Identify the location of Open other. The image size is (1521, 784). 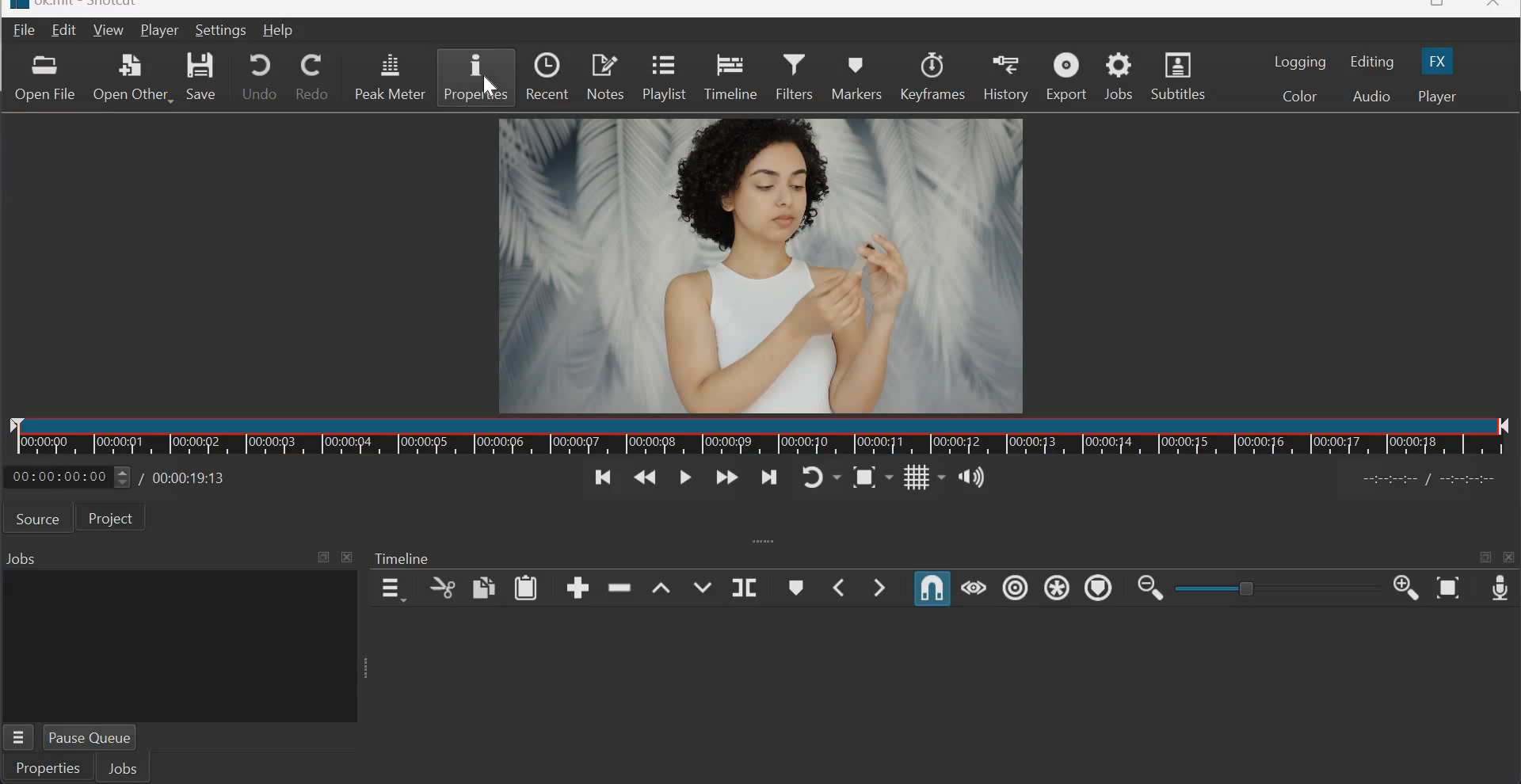
(132, 75).